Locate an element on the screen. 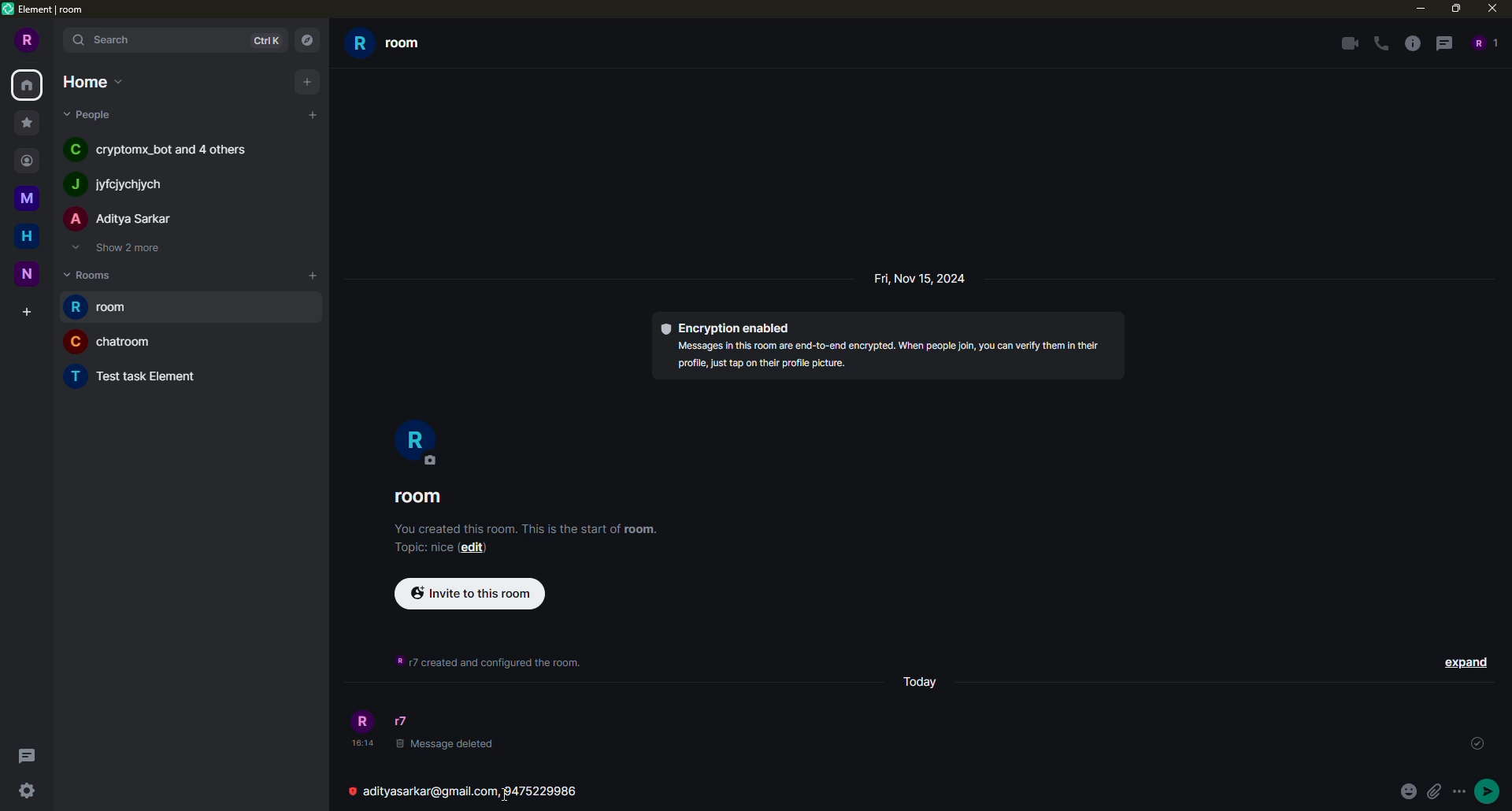 The height and width of the screenshot is (811, 1512). add is located at coordinates (306, 80).